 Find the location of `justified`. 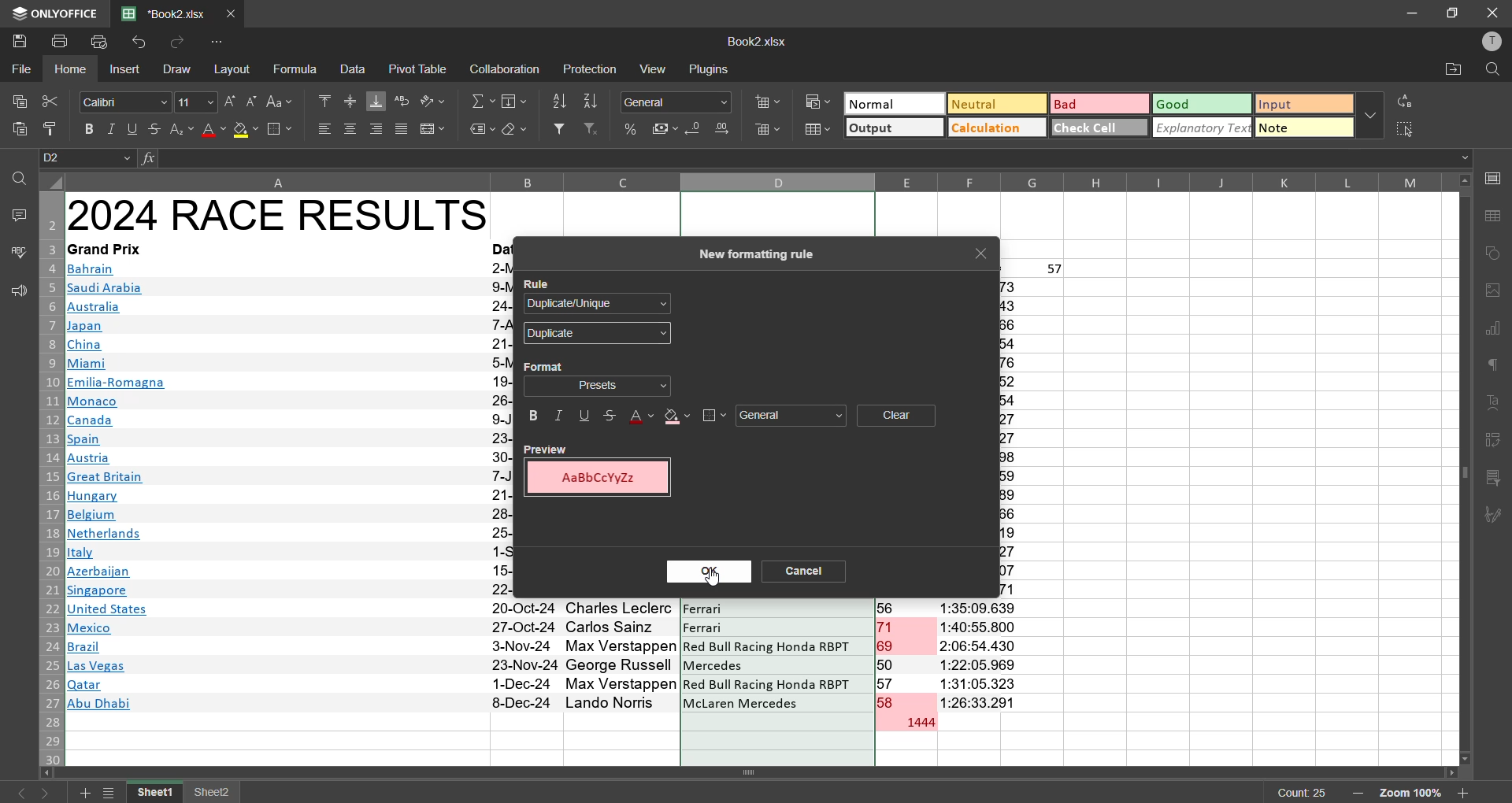

justified is located at coordinates (402, 131).